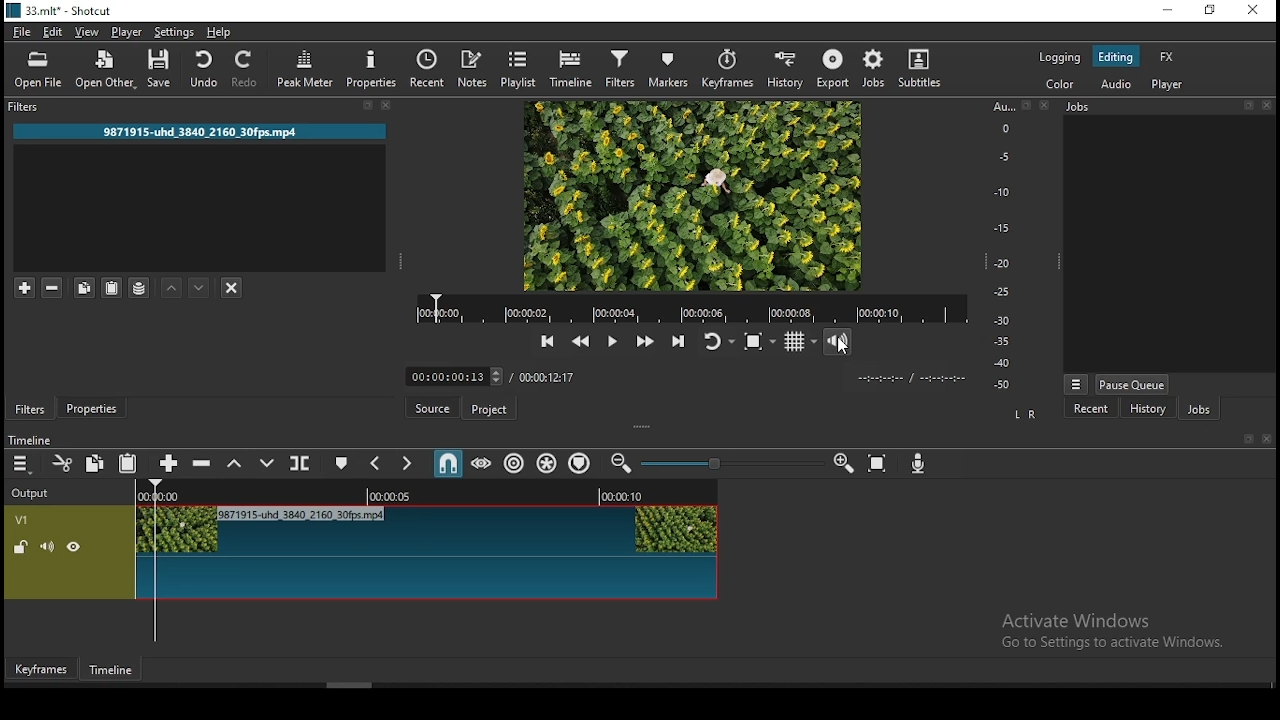  What do you see at coordinates (231, 289) in the screenshot?
I see `deselct filter` at bounding box center [231, 289].